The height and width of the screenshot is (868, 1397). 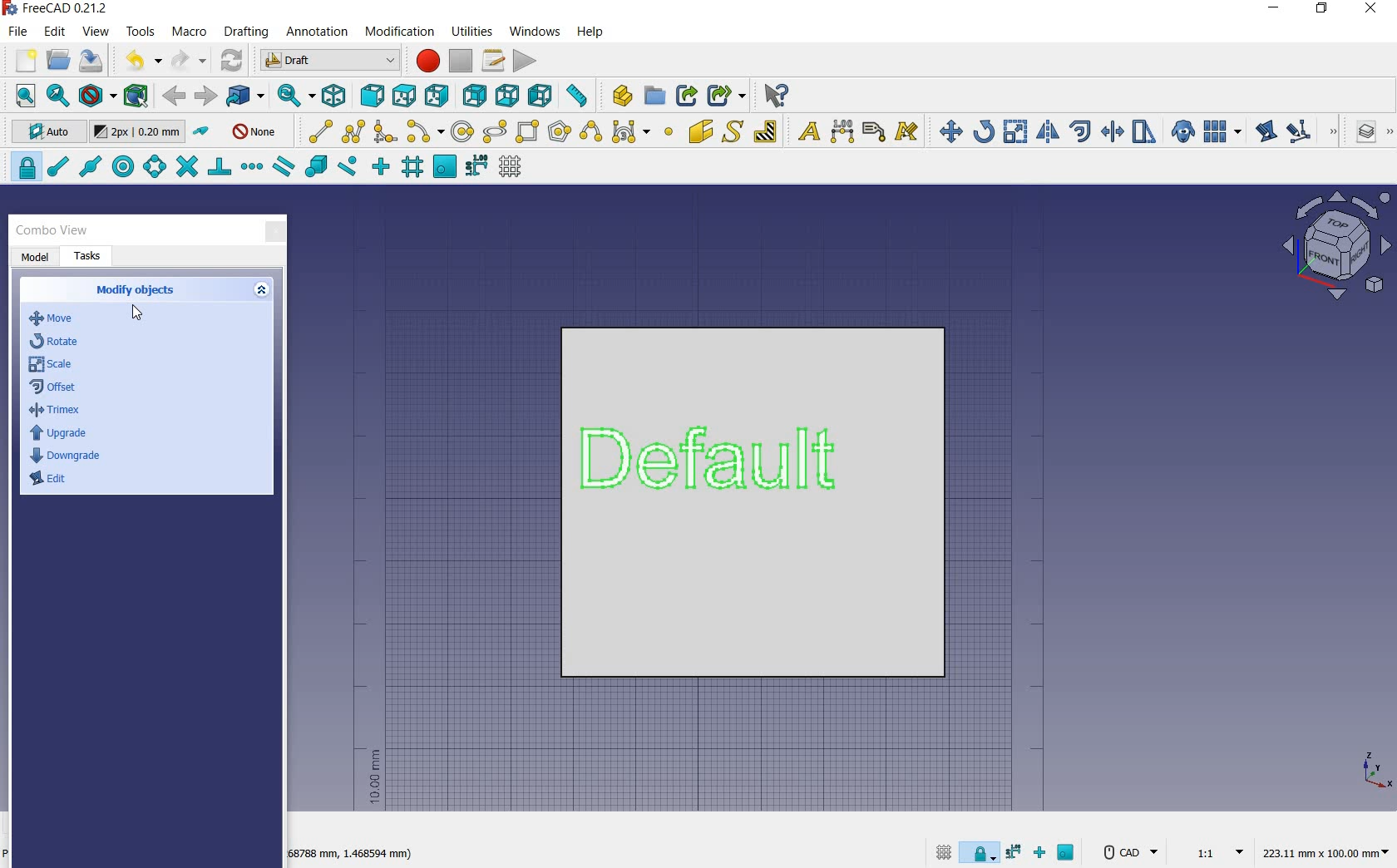 What do you see at coordinates (775, 96) in the screenshot?
I see `what's this?` at bounding box center [775, 96].